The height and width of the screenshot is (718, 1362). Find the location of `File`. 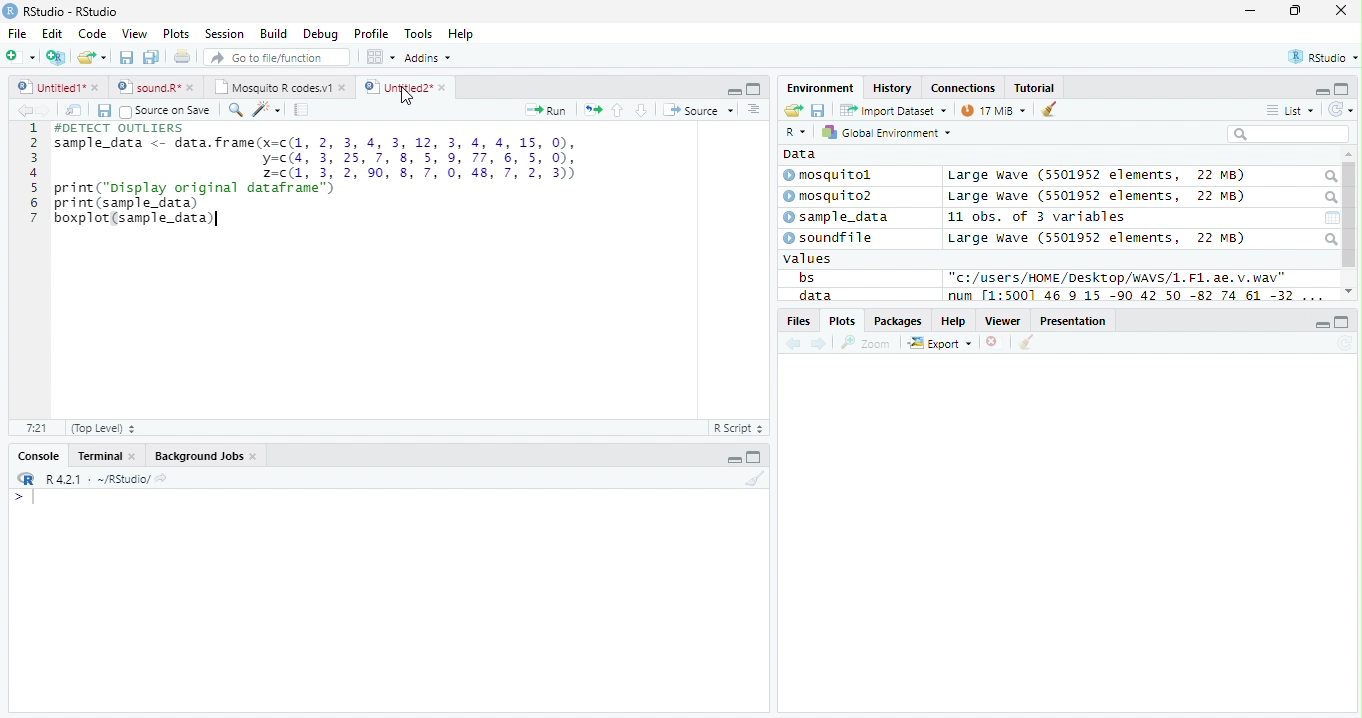

File is located at coordinates (18, 34).